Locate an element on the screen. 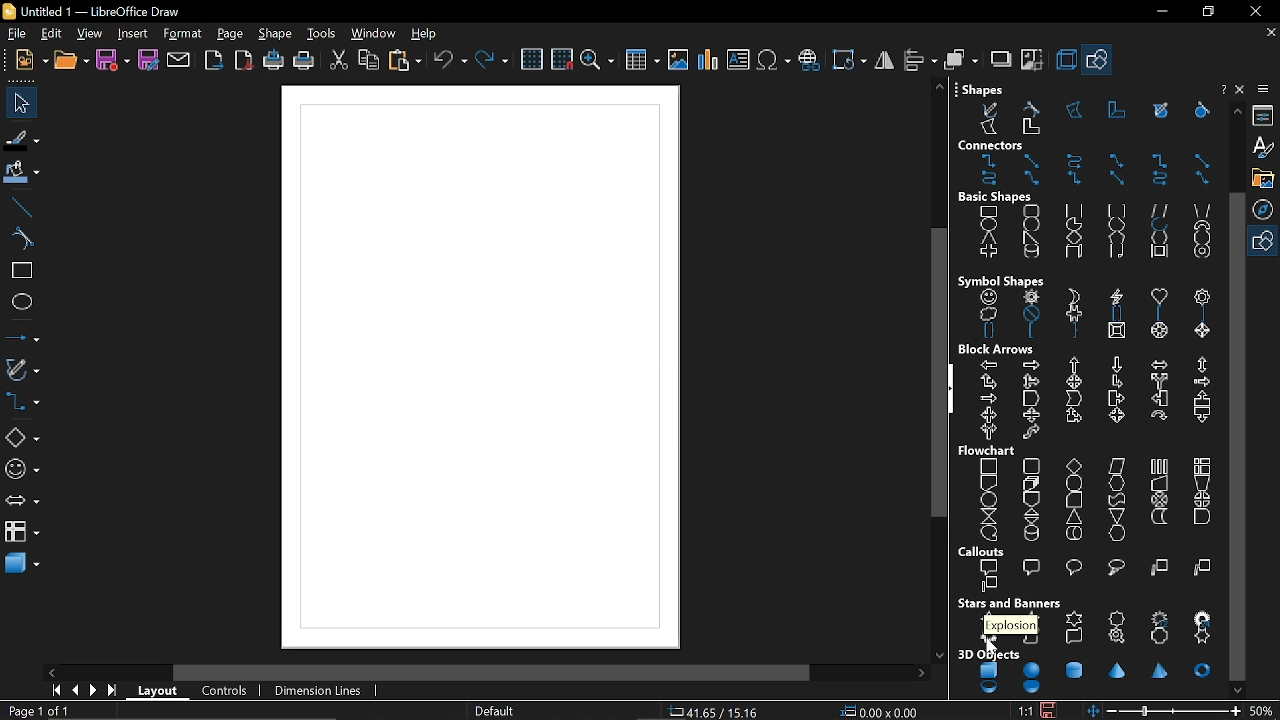 Image resolution: width=1280 pixels, height=720 pixels. export as pdf is located at coordinates (245, 60).